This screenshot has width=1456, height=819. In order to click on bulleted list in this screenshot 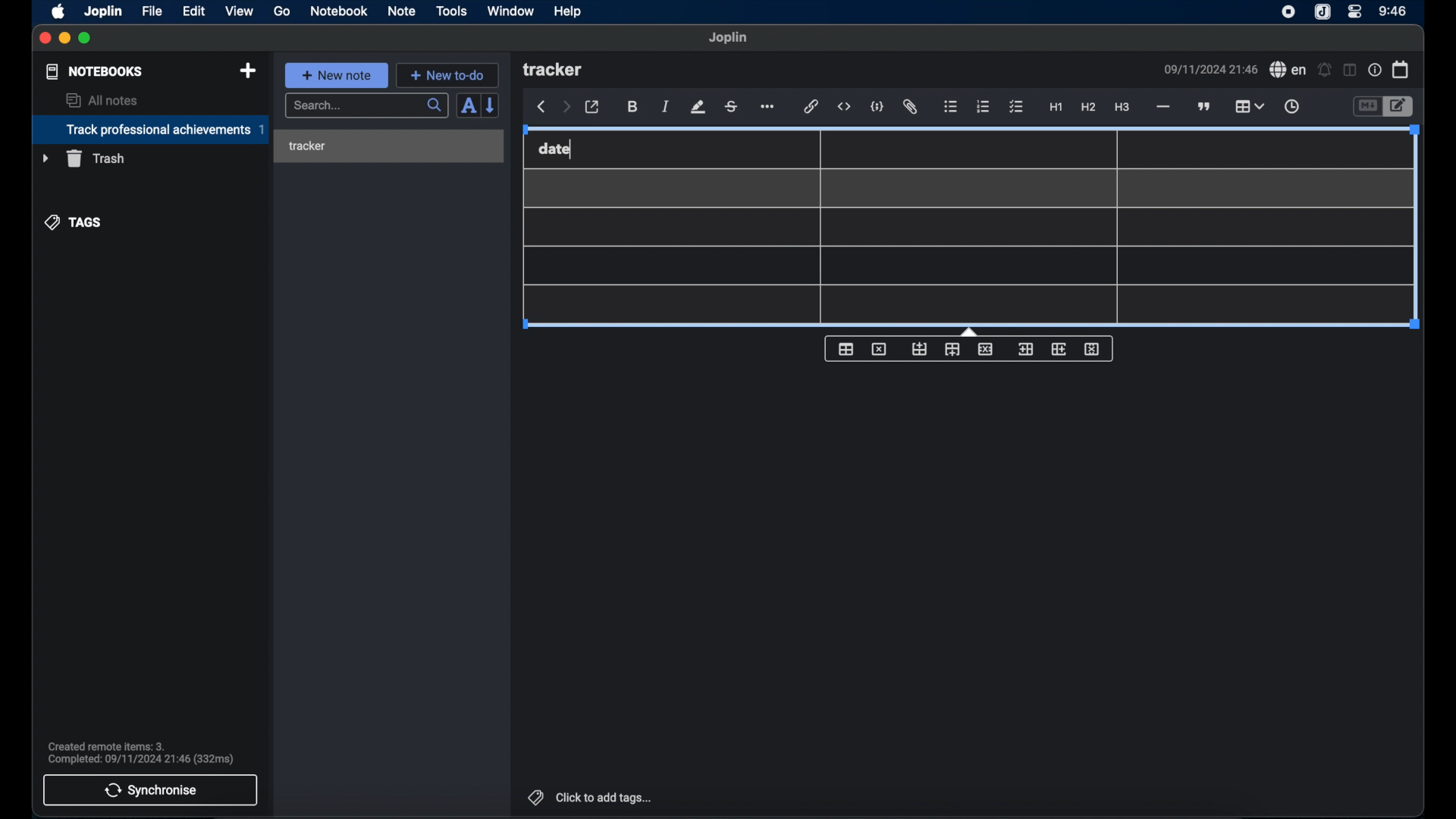, I will do `click(951, 108)`.